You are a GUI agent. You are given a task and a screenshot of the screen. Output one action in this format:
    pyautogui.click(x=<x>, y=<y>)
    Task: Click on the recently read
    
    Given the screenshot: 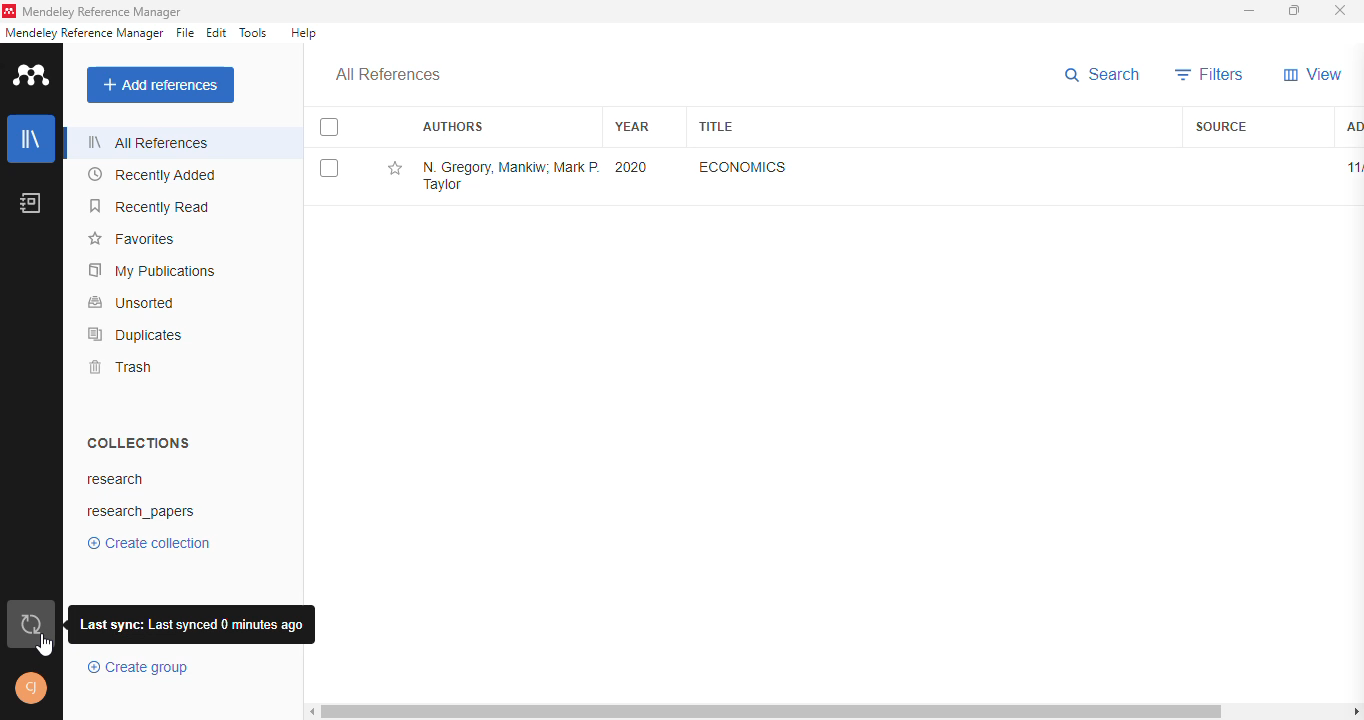 What is the action you would take?
    pyautogui.click(x=152, y=206)
    